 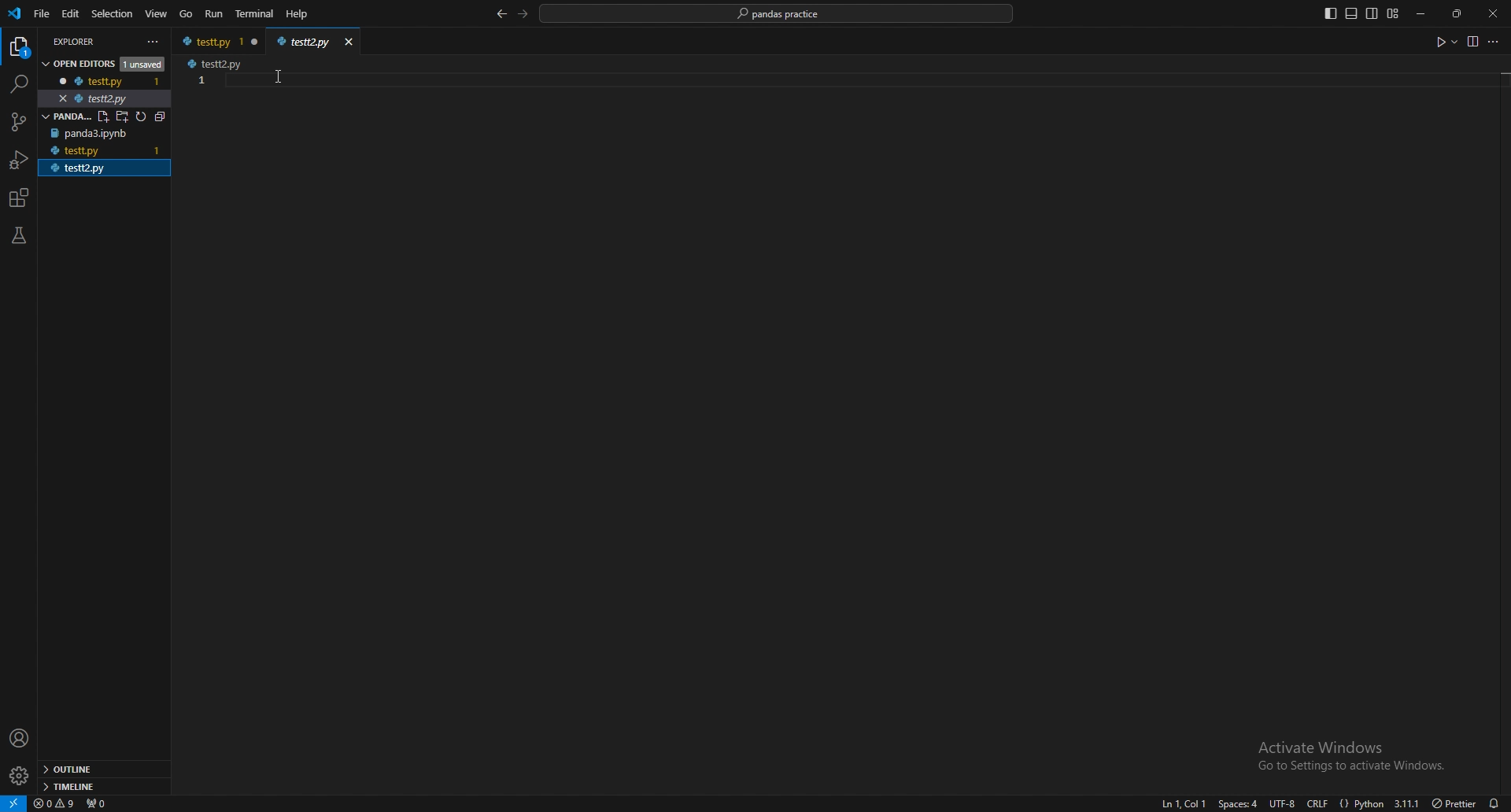 I want to click on file name, so click(x=208, y=41).